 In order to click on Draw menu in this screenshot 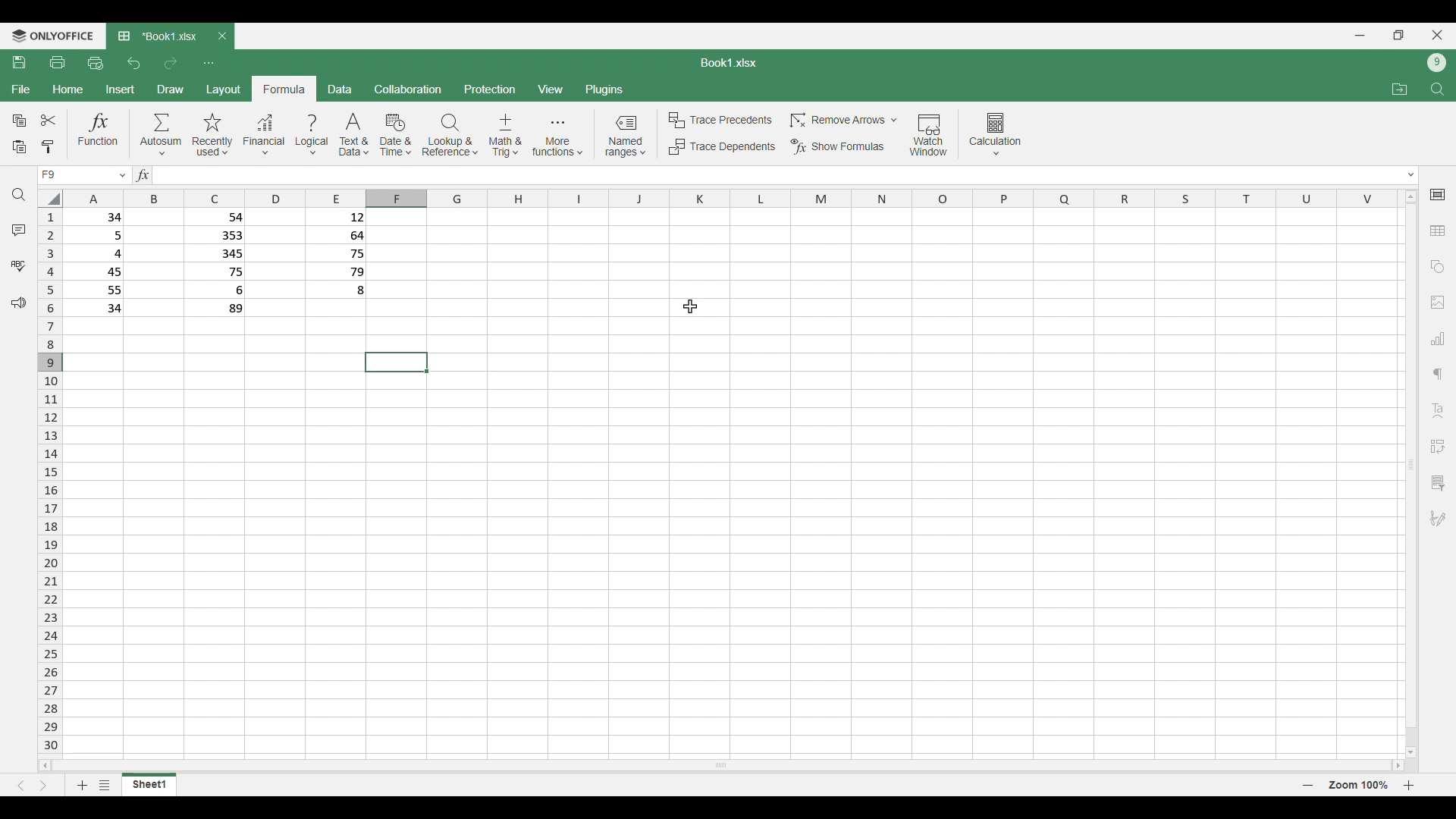, I will do `click(170, 89)`.